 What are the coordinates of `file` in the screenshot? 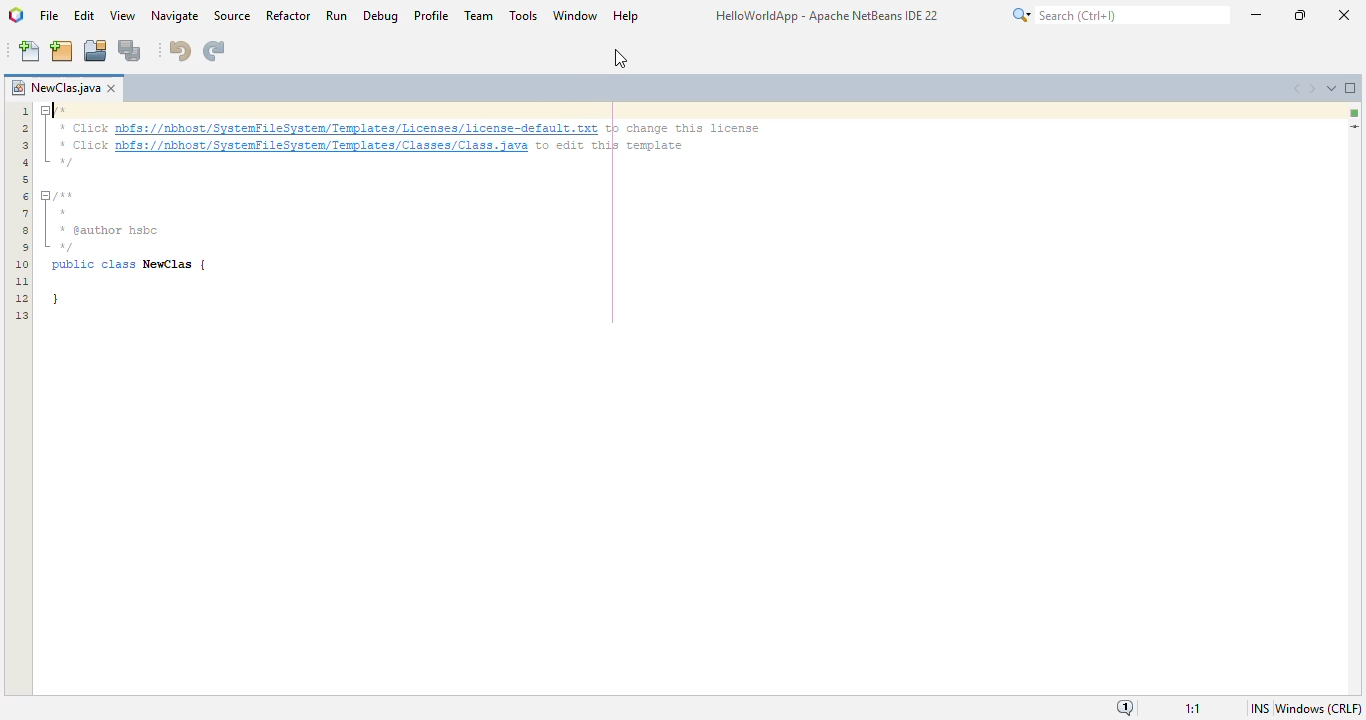 It's located at (50, 16).